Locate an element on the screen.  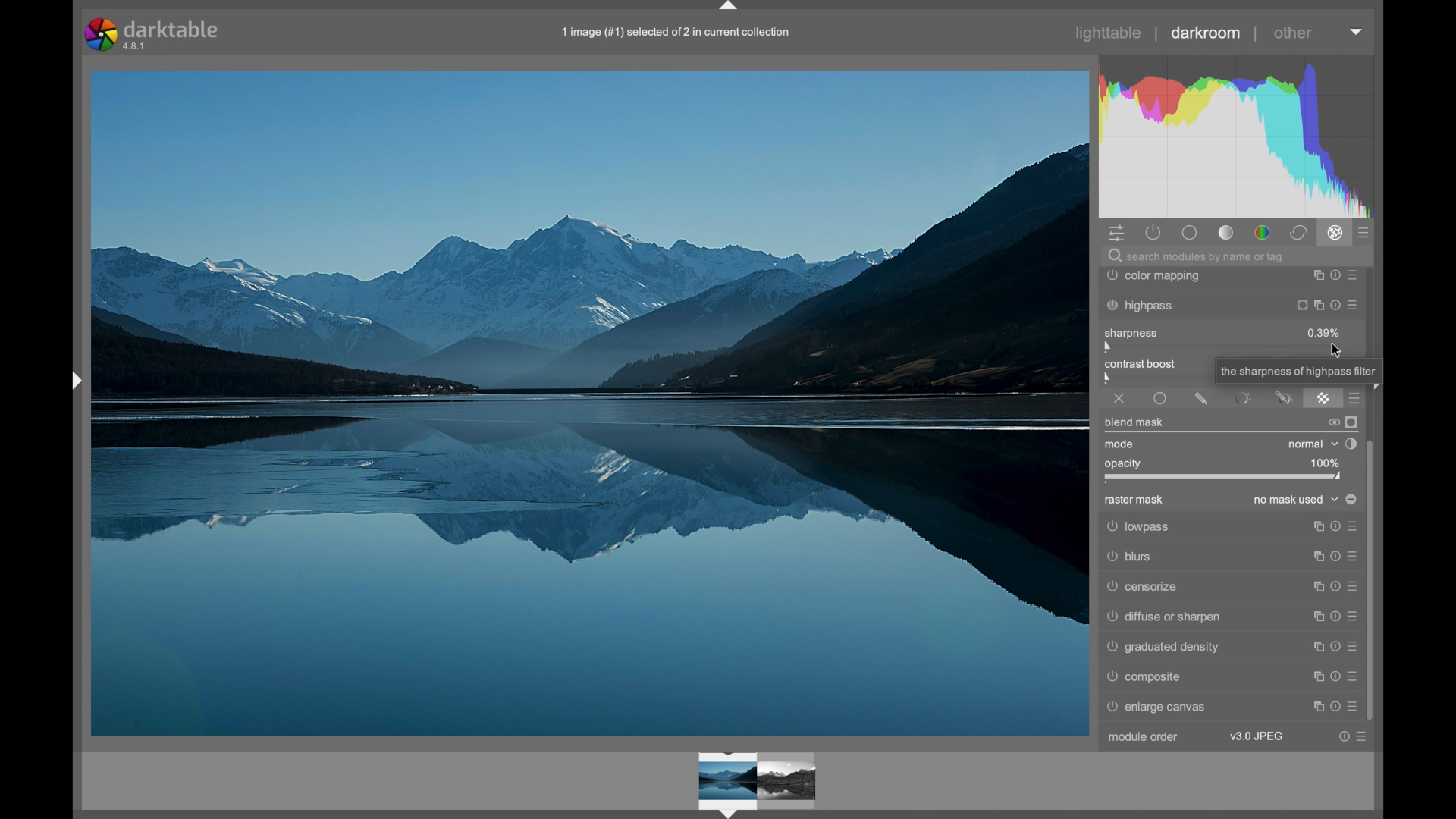
more options is located at coordinates (1335, 647).